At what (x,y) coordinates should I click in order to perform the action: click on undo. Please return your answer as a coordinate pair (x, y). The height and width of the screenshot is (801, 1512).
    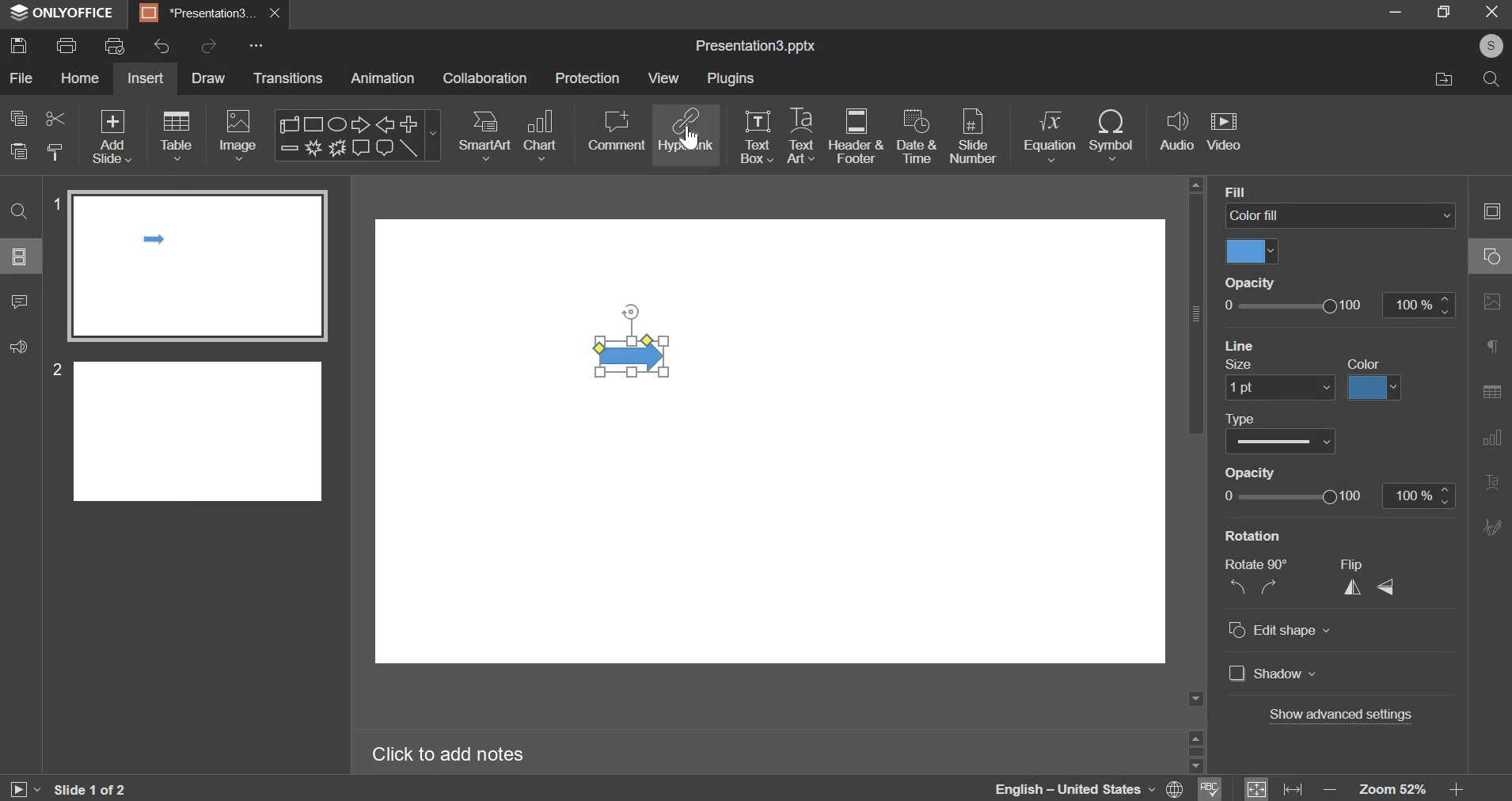
    Looking at the image, I should click on (161, 46).